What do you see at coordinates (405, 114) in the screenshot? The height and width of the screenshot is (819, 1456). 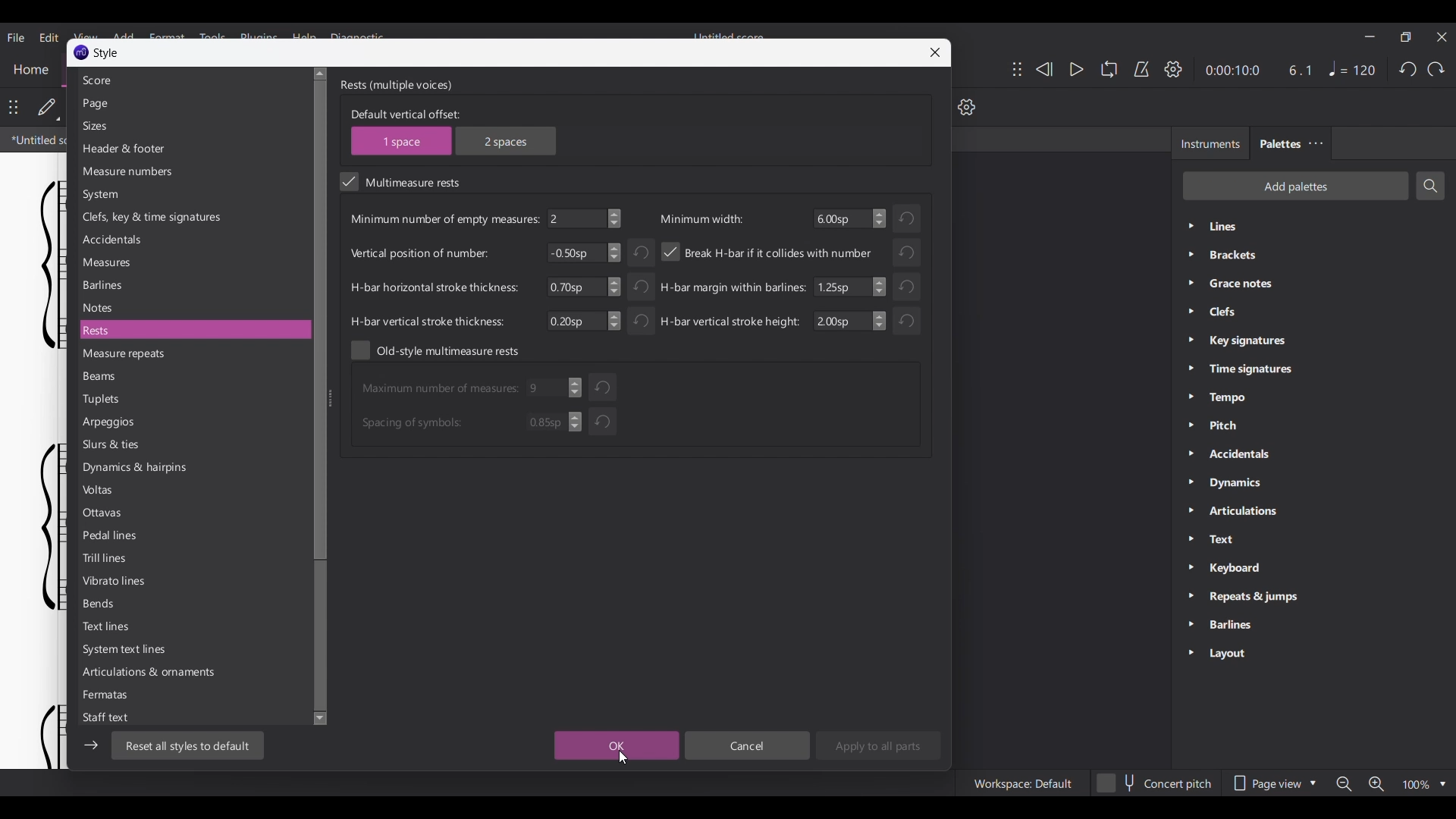 I see `Indicates default vertical offset choice` at bounding box center [405, 114].